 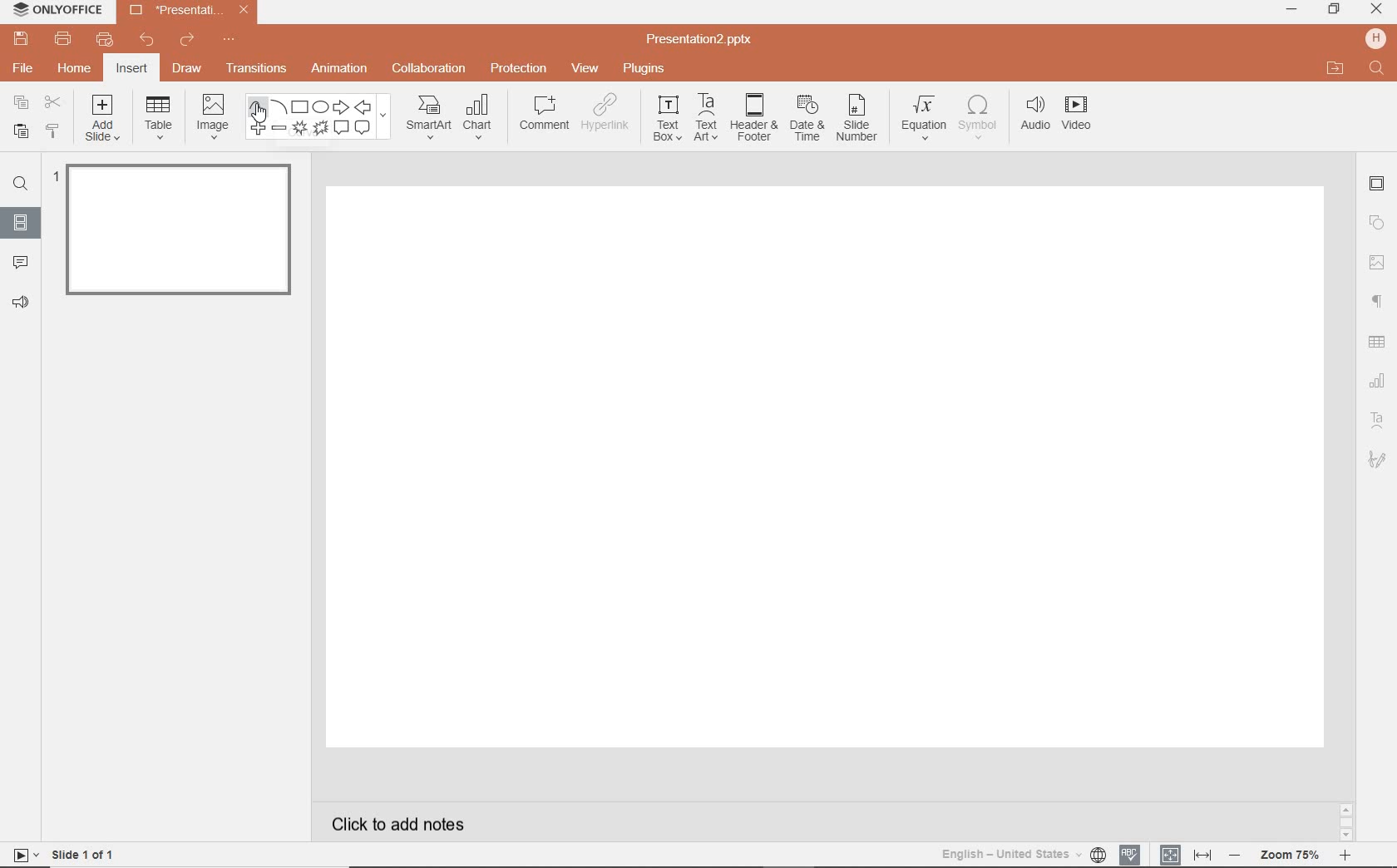 What do you see at coordinates (807, 121) in the screenshot?
I see `DATE & TIME` at bounding box center [807, 121].